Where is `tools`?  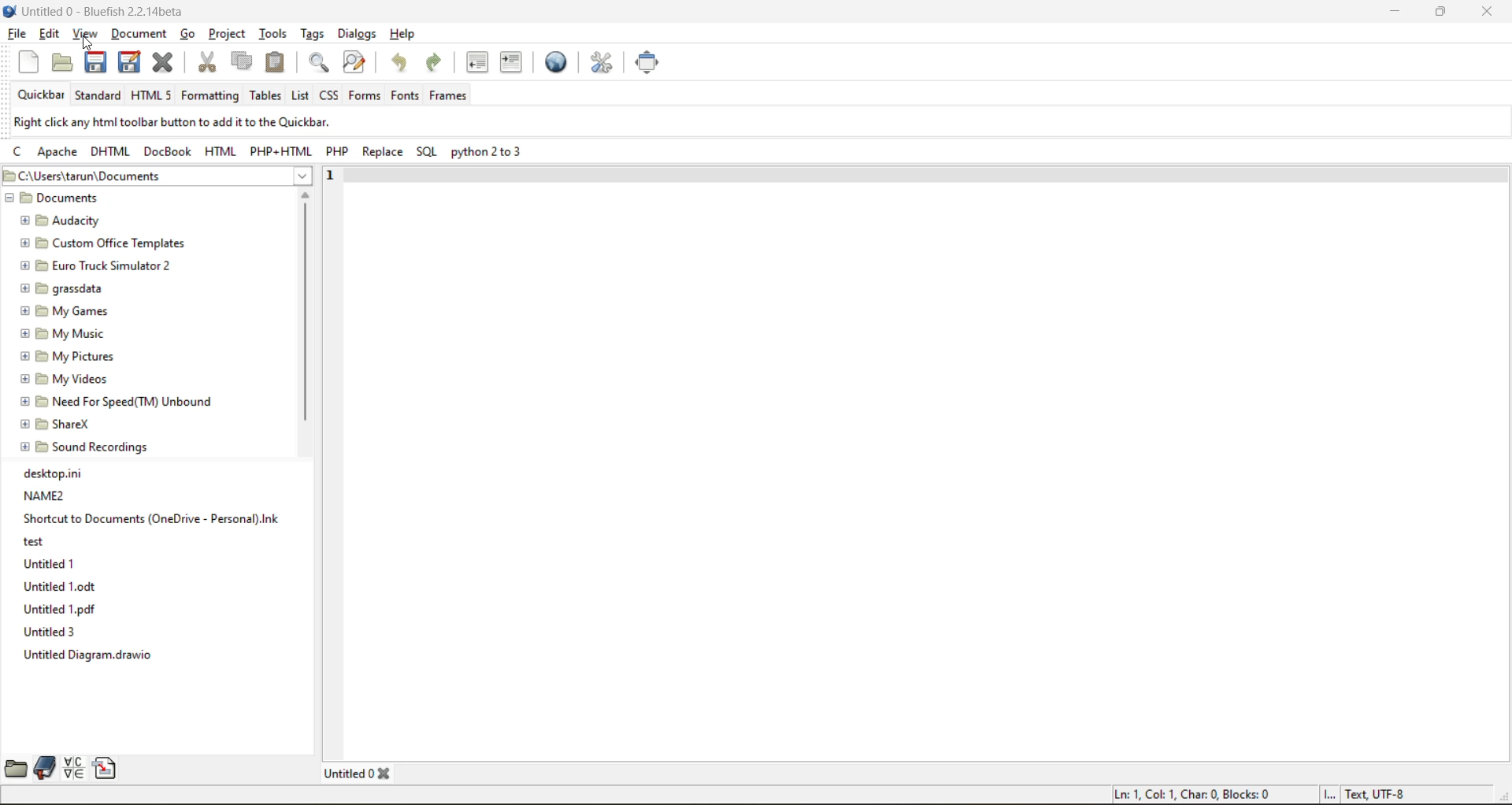 tools is located at coordinates (272, 35).